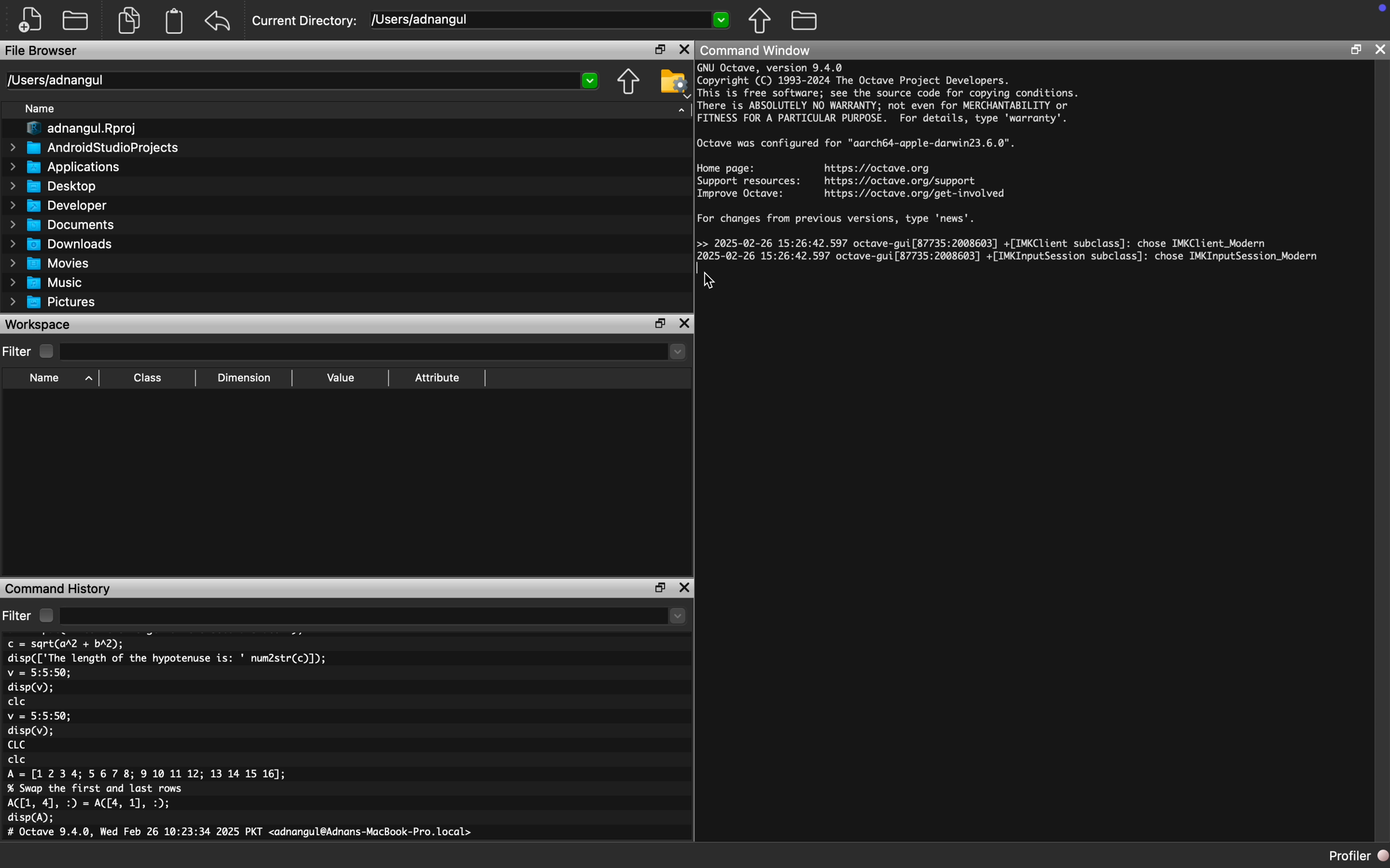  Describe the element at coordinates (173, 21) in the screenshot. I see `Clipboard` at that location.